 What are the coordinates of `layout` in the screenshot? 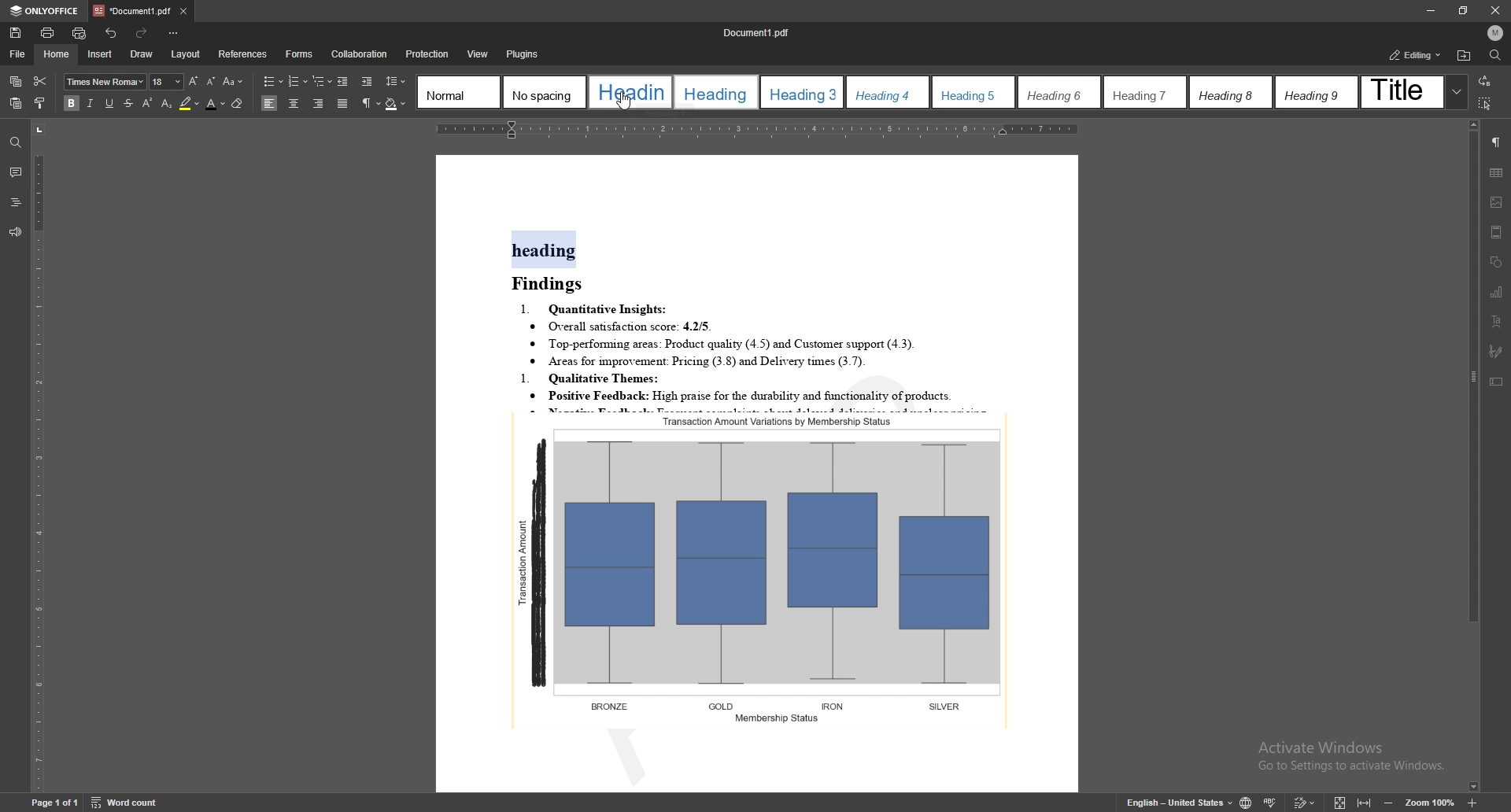 It's located at (187, 54).